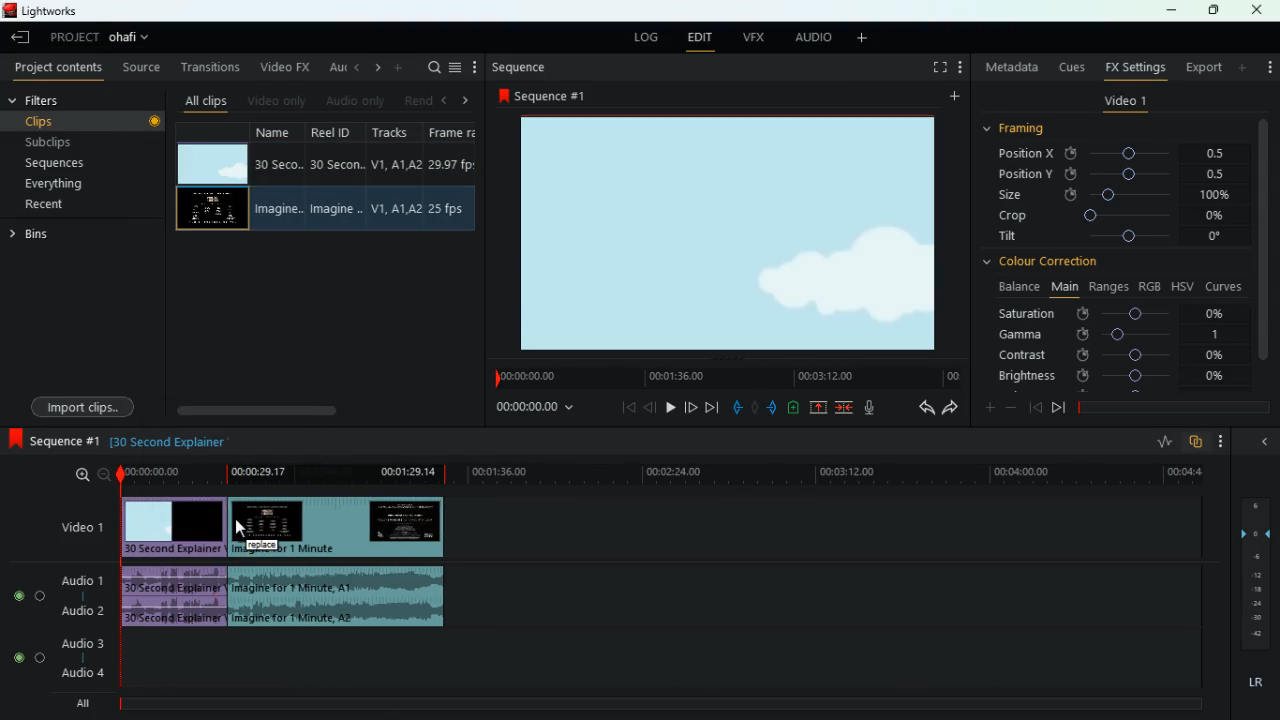 The image size is (1280, 720). What do you see at coordinates (206, 100) in the screenshot?
I see `all clips` at bounding box center [206, 100].